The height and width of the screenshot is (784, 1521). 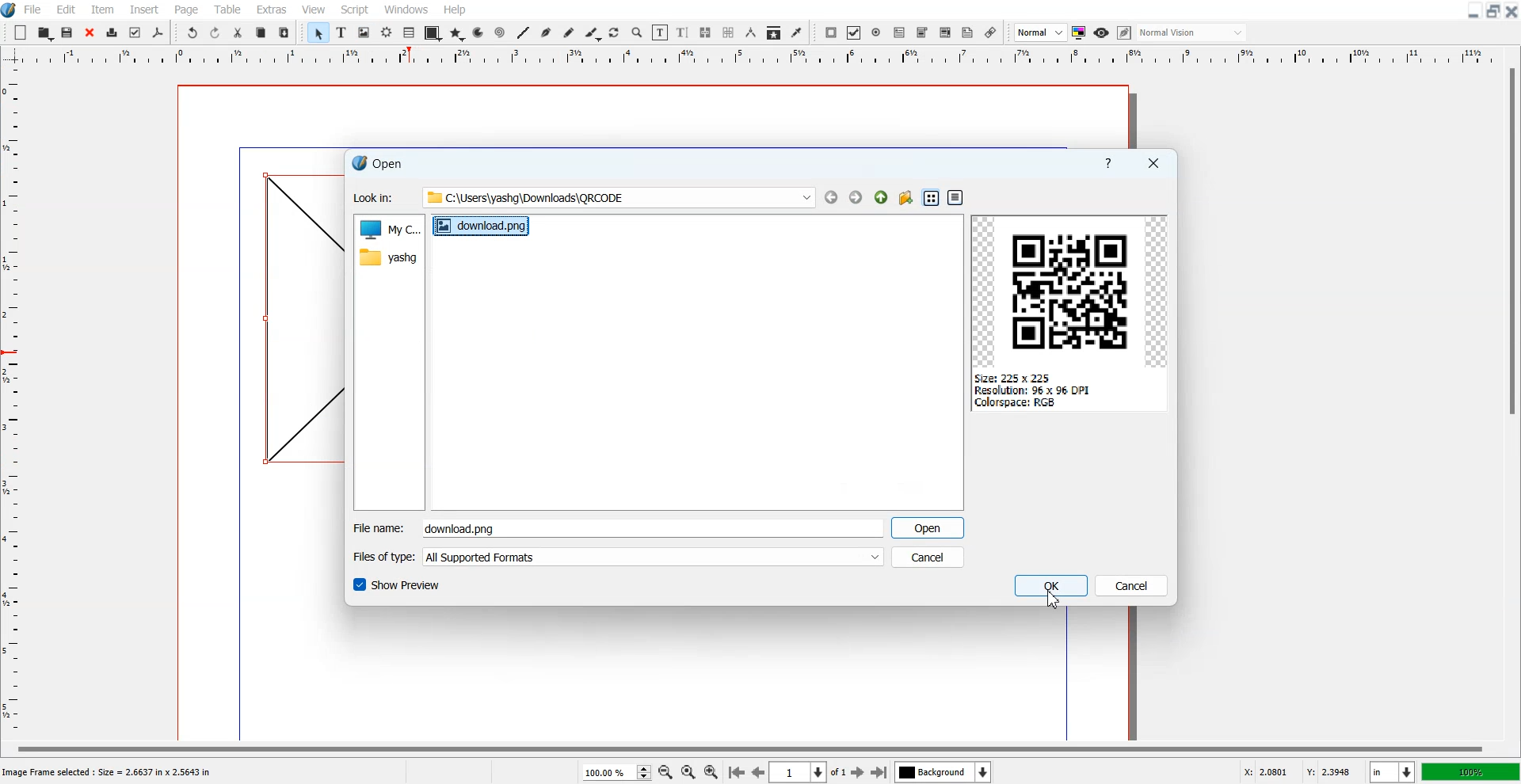 What do you see at coordinates (456, 10) in the screenshot?
I see `Help` at bounding box center [456, 10].